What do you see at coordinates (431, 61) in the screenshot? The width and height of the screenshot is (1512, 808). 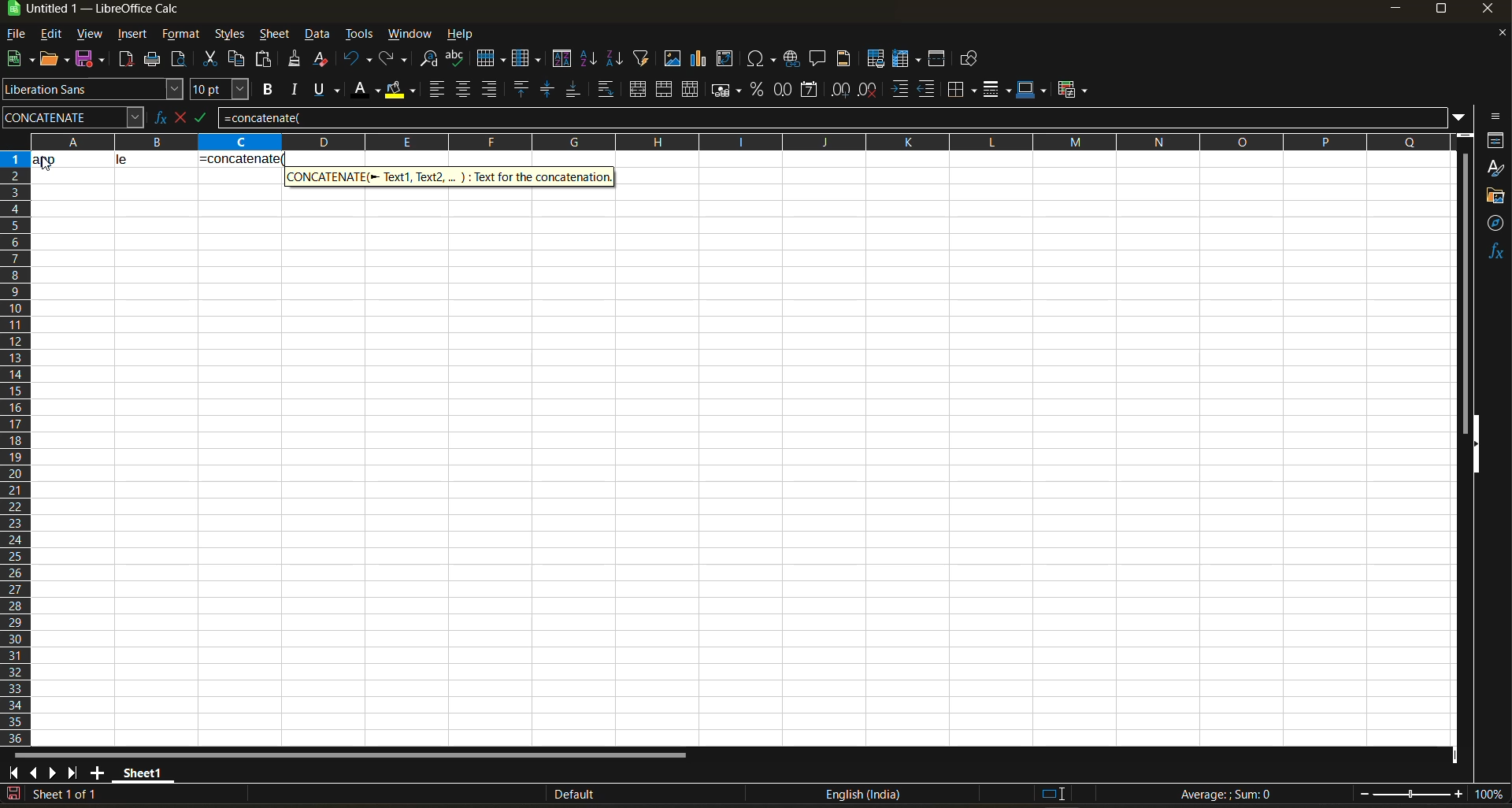 I see `find and replace` at bounding box center [431, 61].